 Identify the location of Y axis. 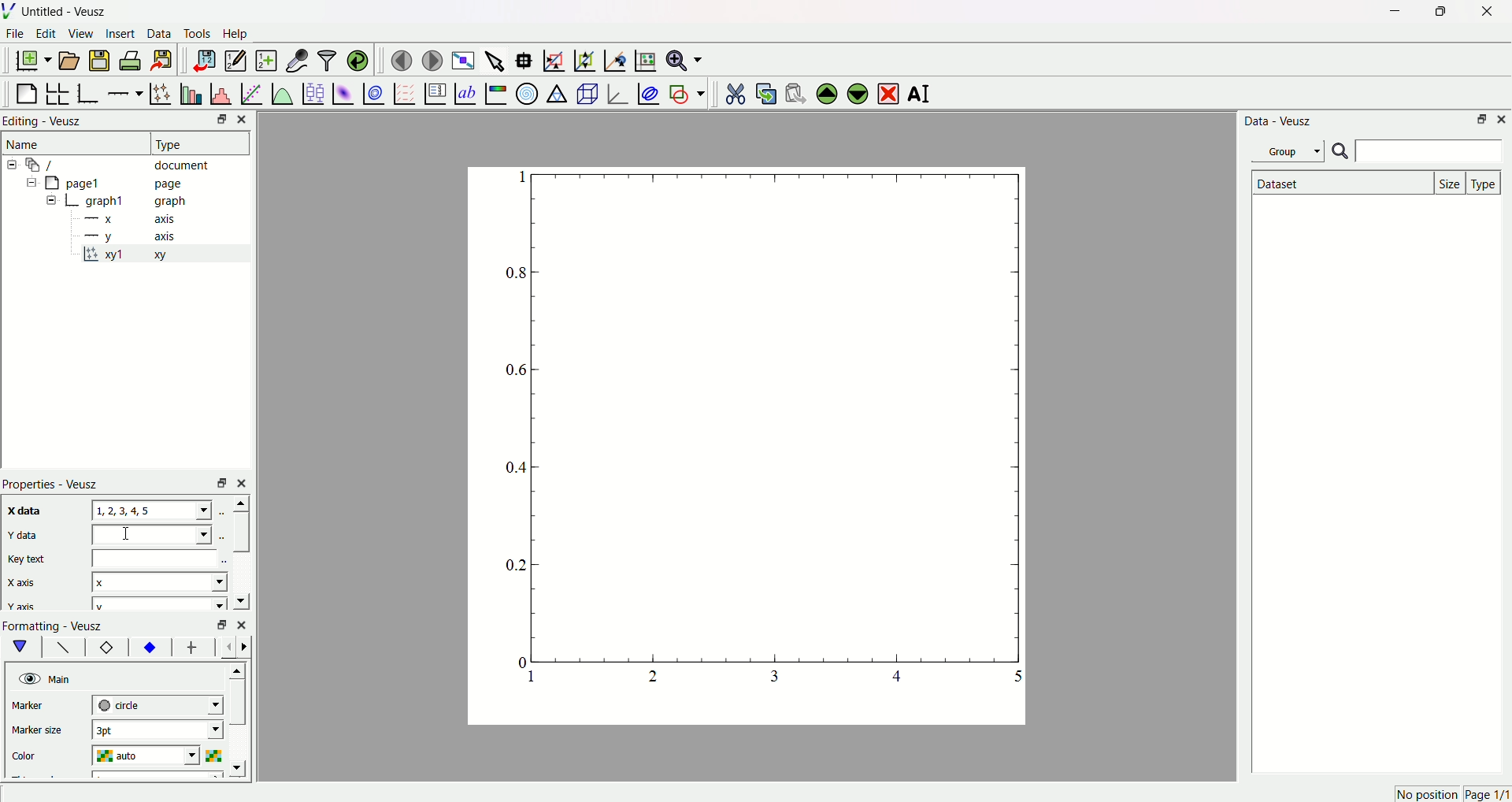
(23, 607).